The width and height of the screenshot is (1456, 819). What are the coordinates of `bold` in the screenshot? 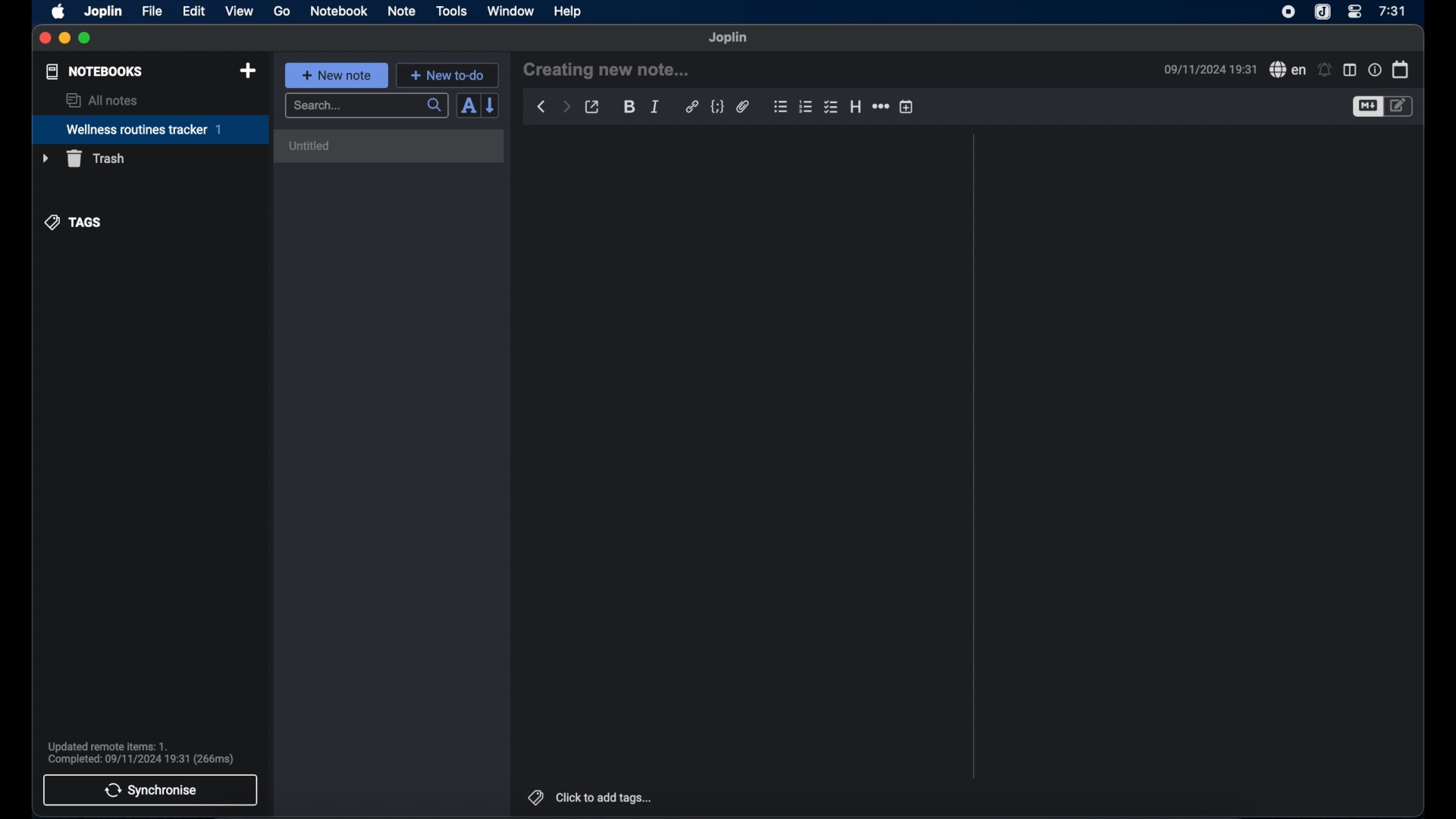 It's located at (629, 108).